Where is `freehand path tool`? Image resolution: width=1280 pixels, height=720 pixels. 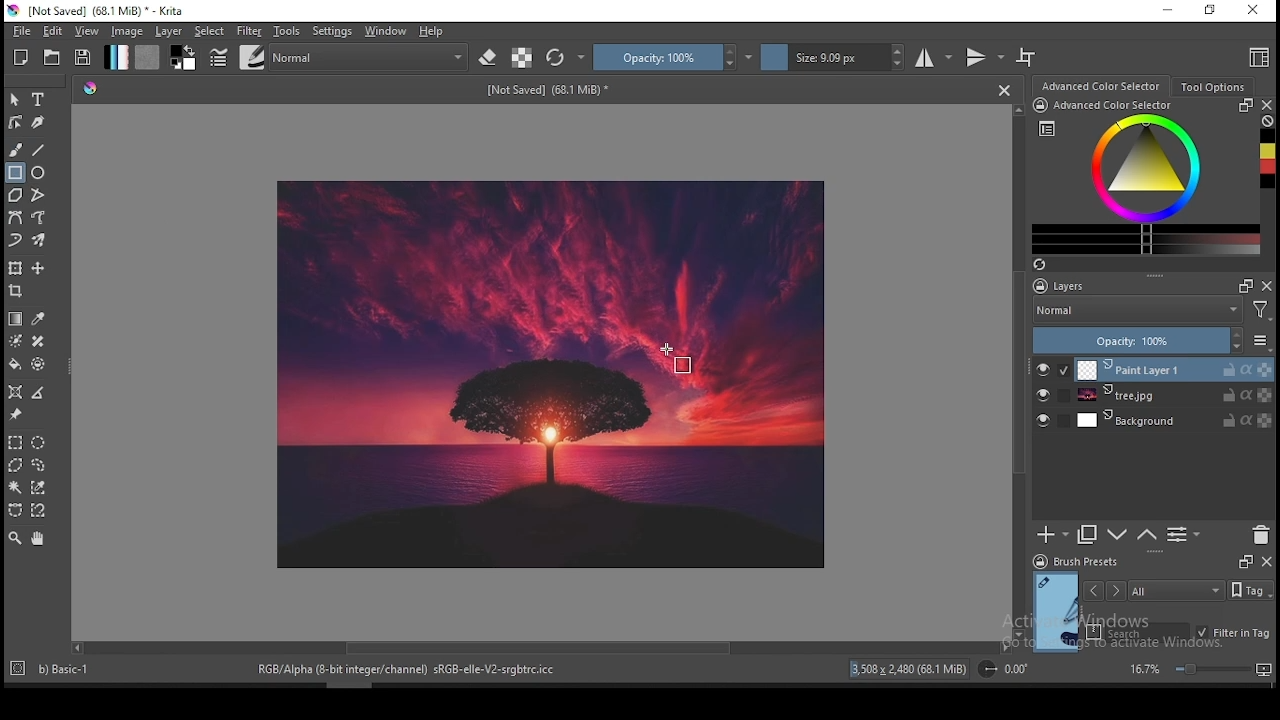
freehand path tool is located at coordinates (38, 218).